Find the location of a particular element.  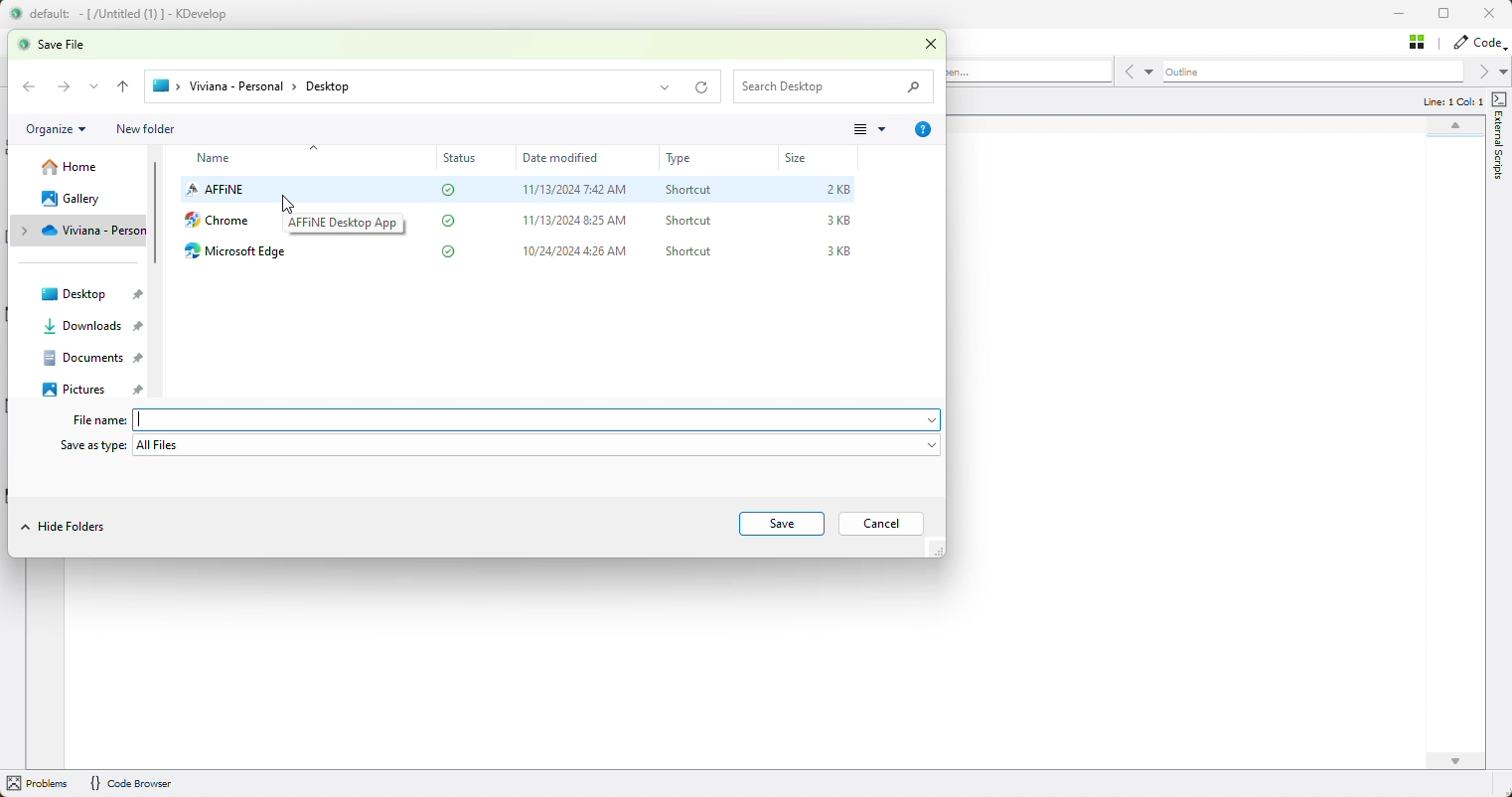

save file is located at coordinates (64, 44).